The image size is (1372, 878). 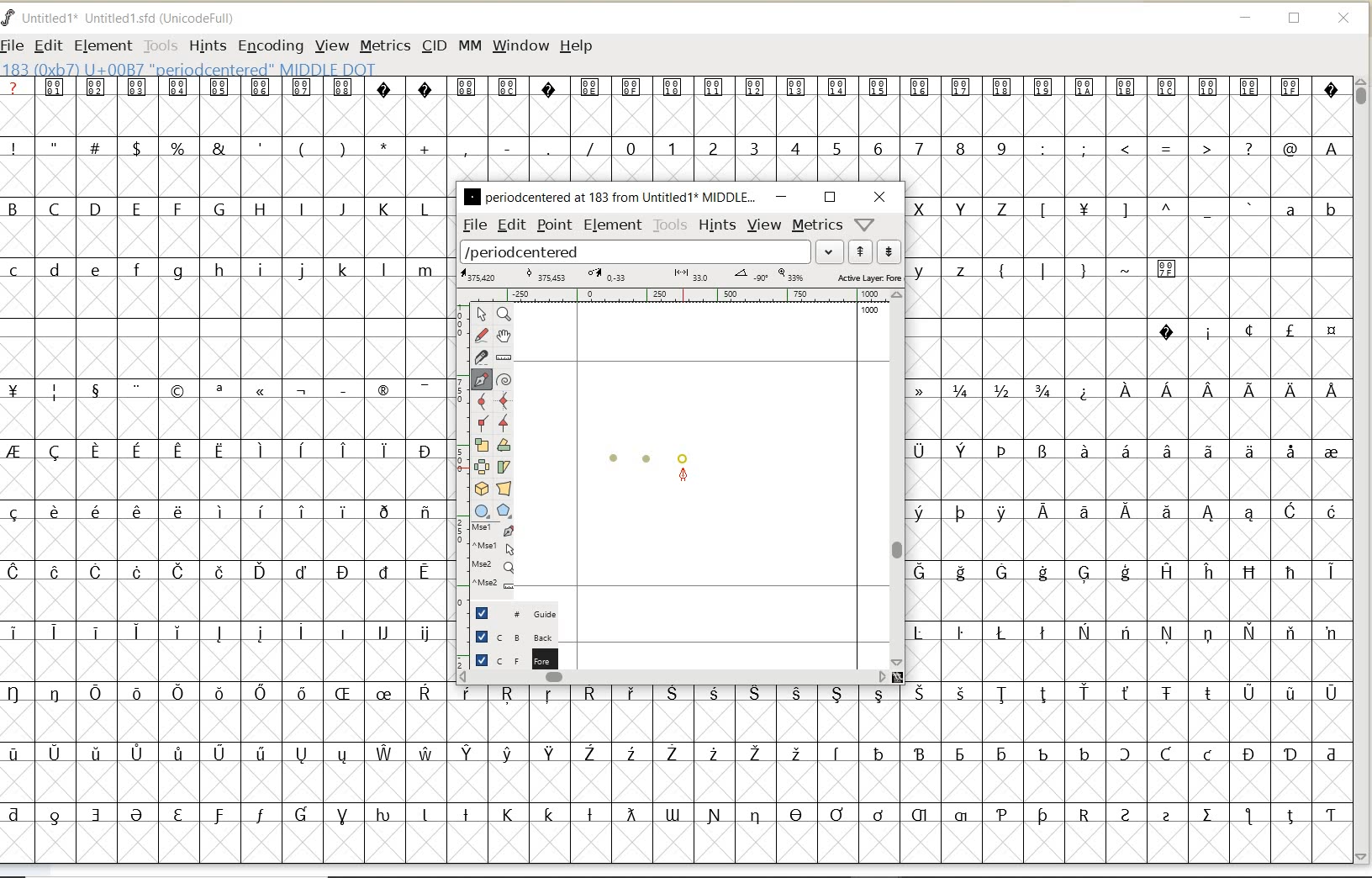 What do you see at coordinates (1247, 20) in the screenshot?
I see `MINIMIZE` at bounding box center [1247, 20].